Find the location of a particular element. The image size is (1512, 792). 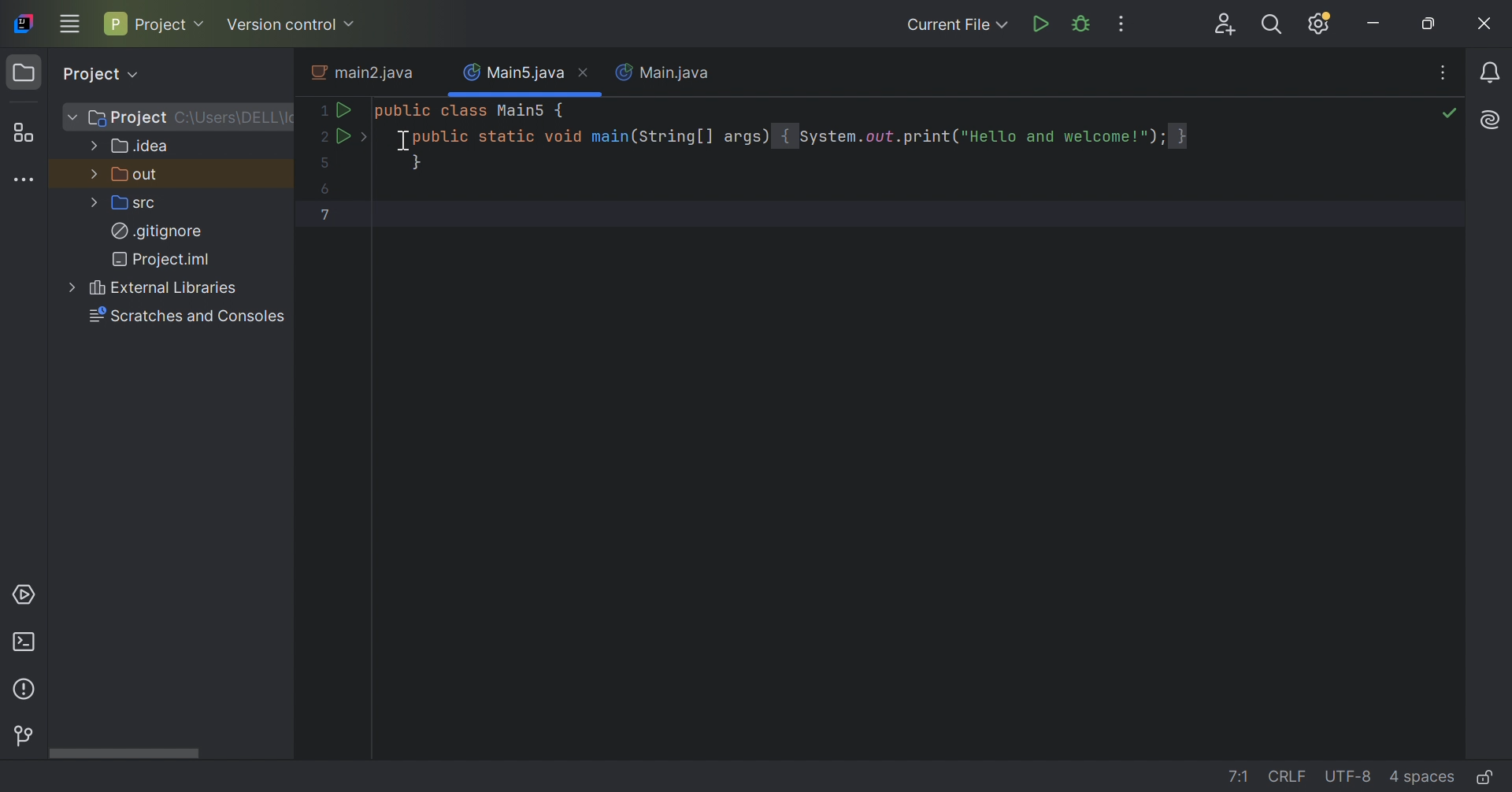

More is located at coordinates (91, 173).